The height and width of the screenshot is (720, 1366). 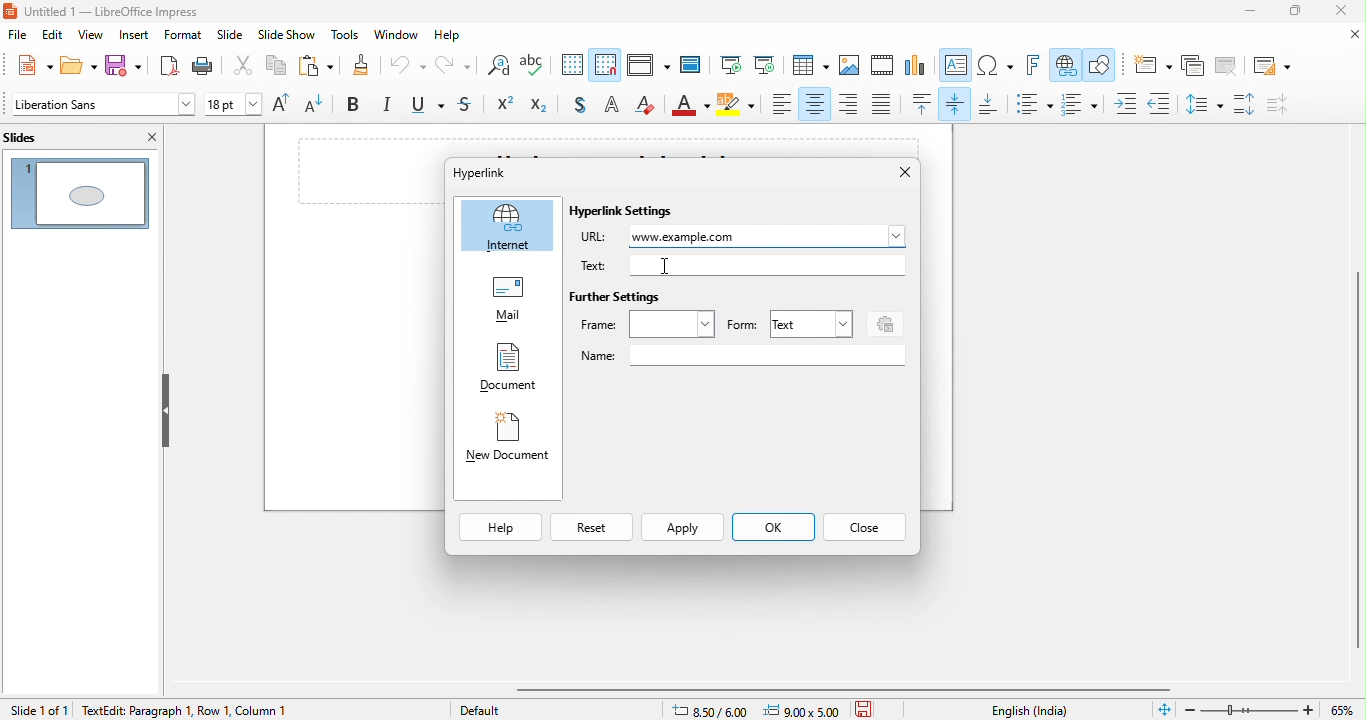 I want to click on slide show, so click(x=287, y=37).